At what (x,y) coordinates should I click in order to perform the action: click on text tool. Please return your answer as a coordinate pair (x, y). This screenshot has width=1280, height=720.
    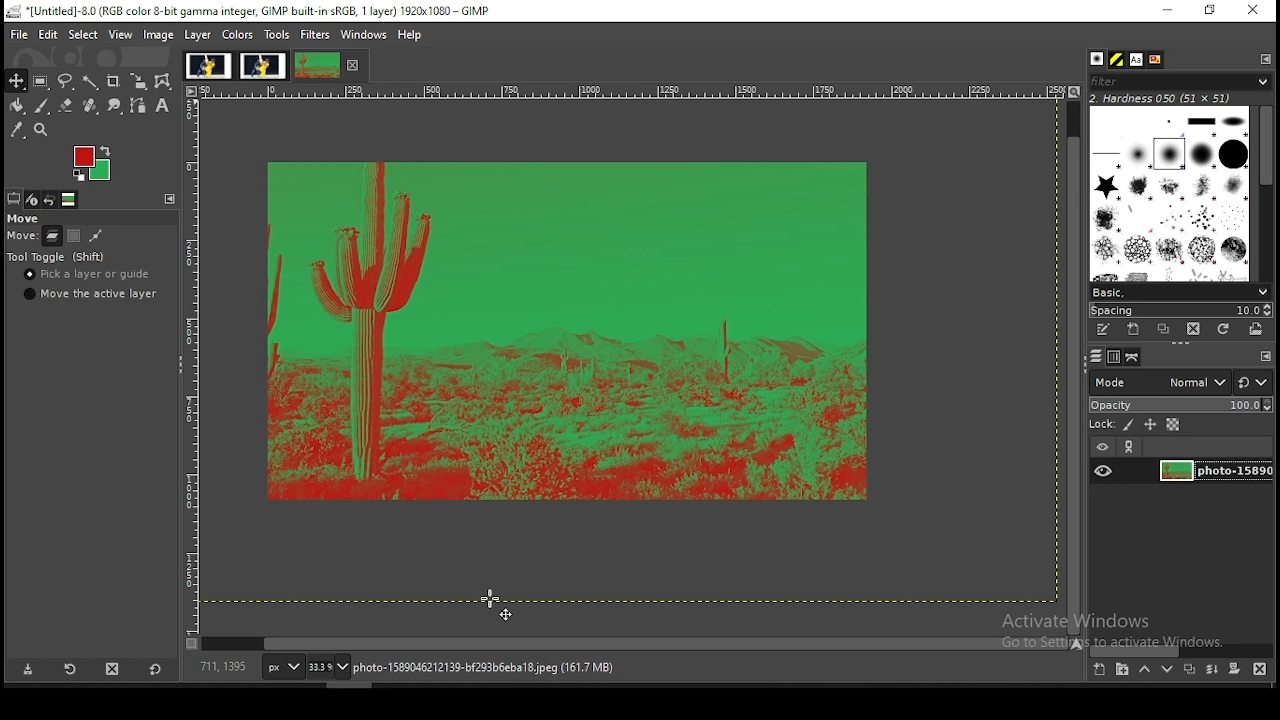
    Looking at the image, I should click on (164, 106).